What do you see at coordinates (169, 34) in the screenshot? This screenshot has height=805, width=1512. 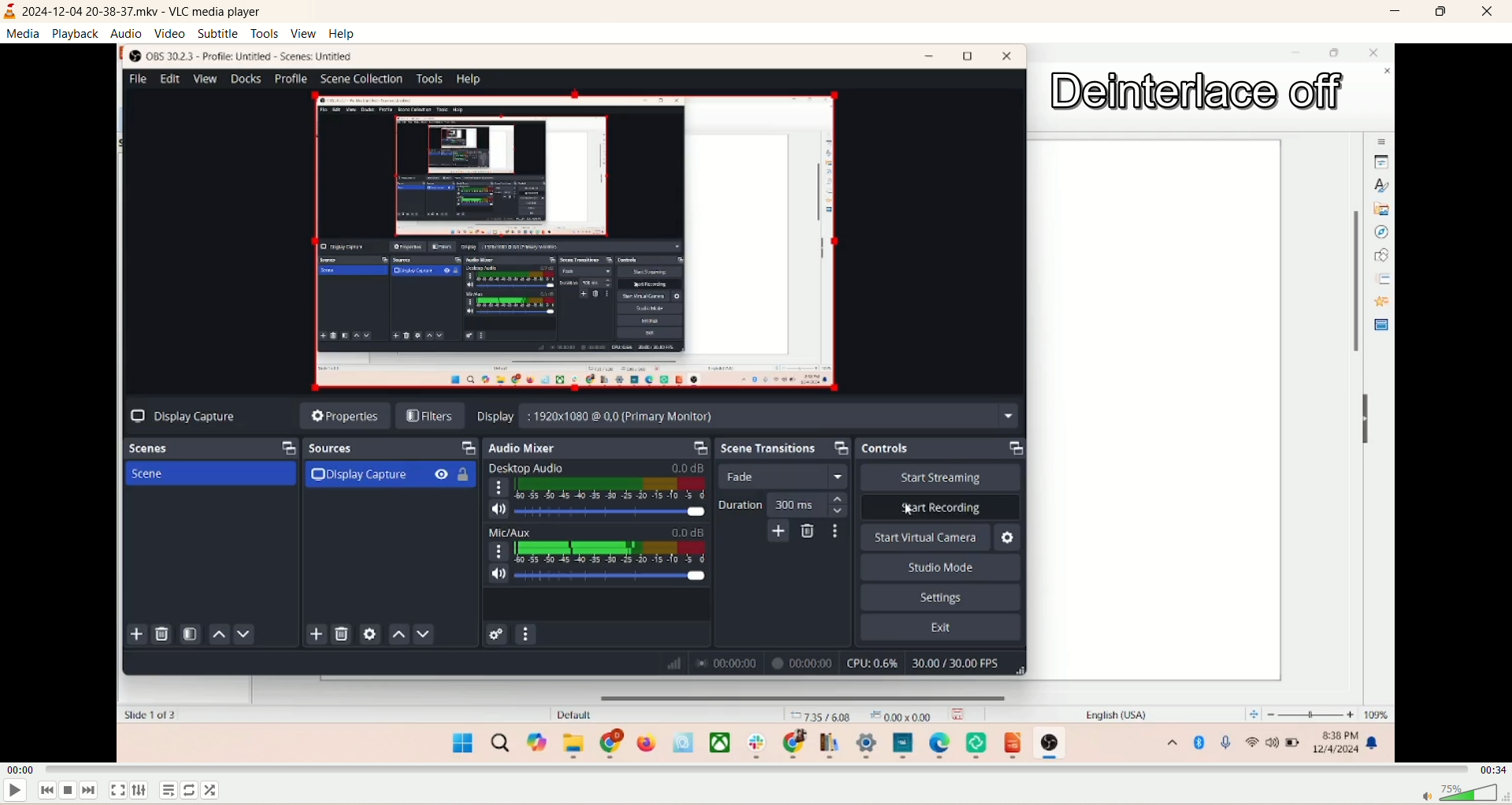 I see `video` at bounding box center [169, 34].